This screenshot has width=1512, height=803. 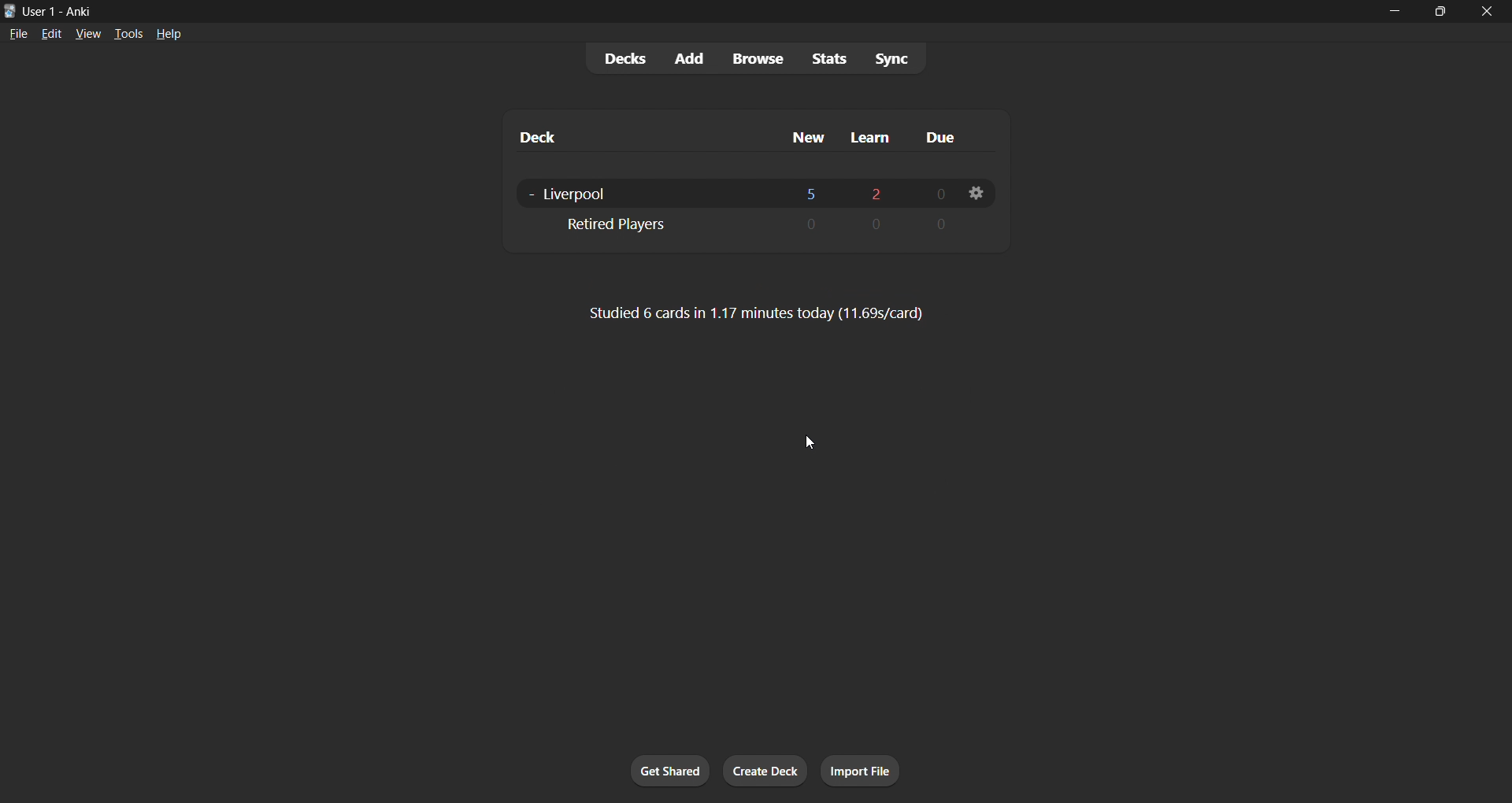 What do you see at coordinates (976, 193) in the screenshot?
I see `deck settings` at bounding box center [976, 193].